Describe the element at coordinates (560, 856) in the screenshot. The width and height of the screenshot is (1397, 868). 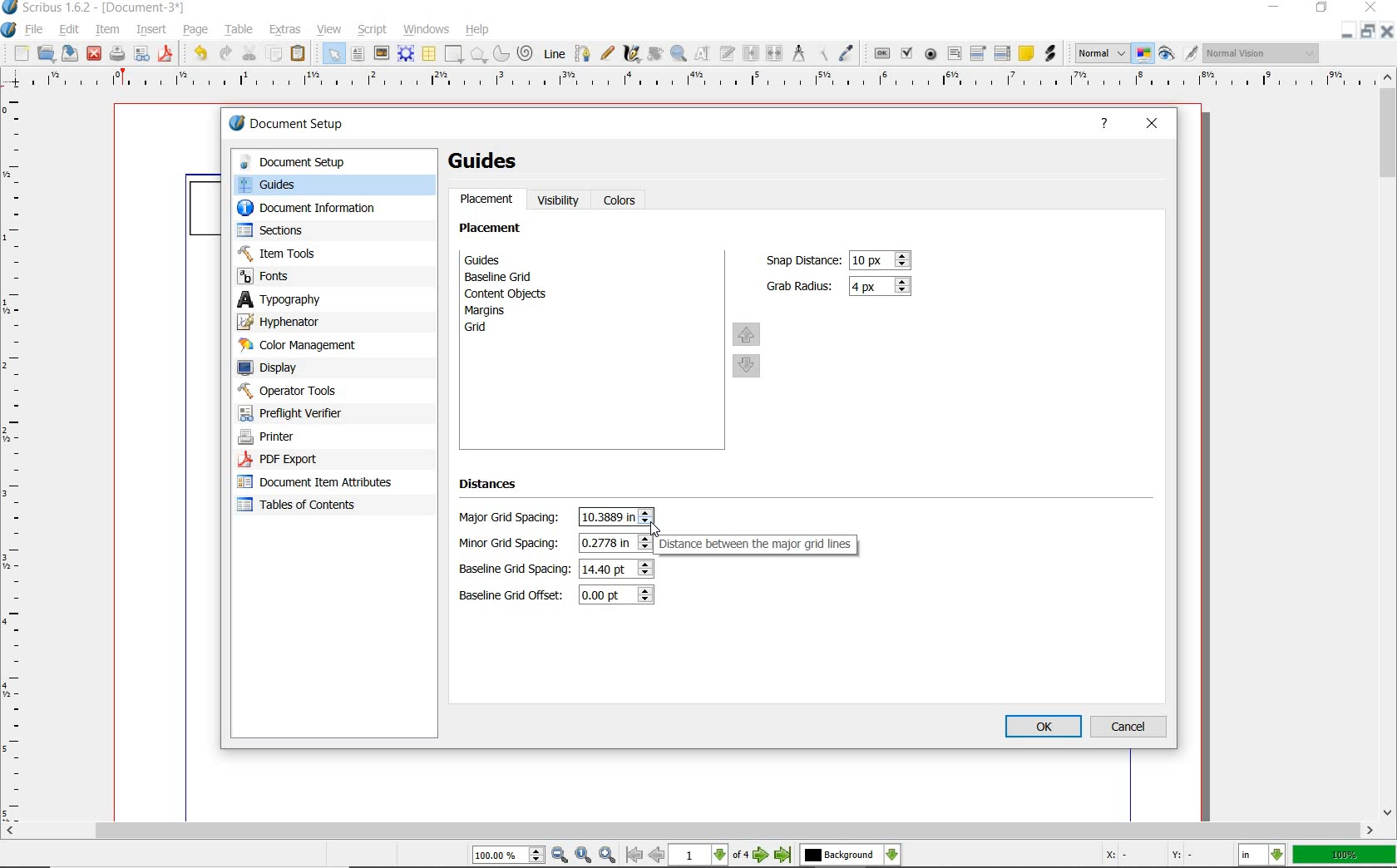
I see `zoom out` at that location.